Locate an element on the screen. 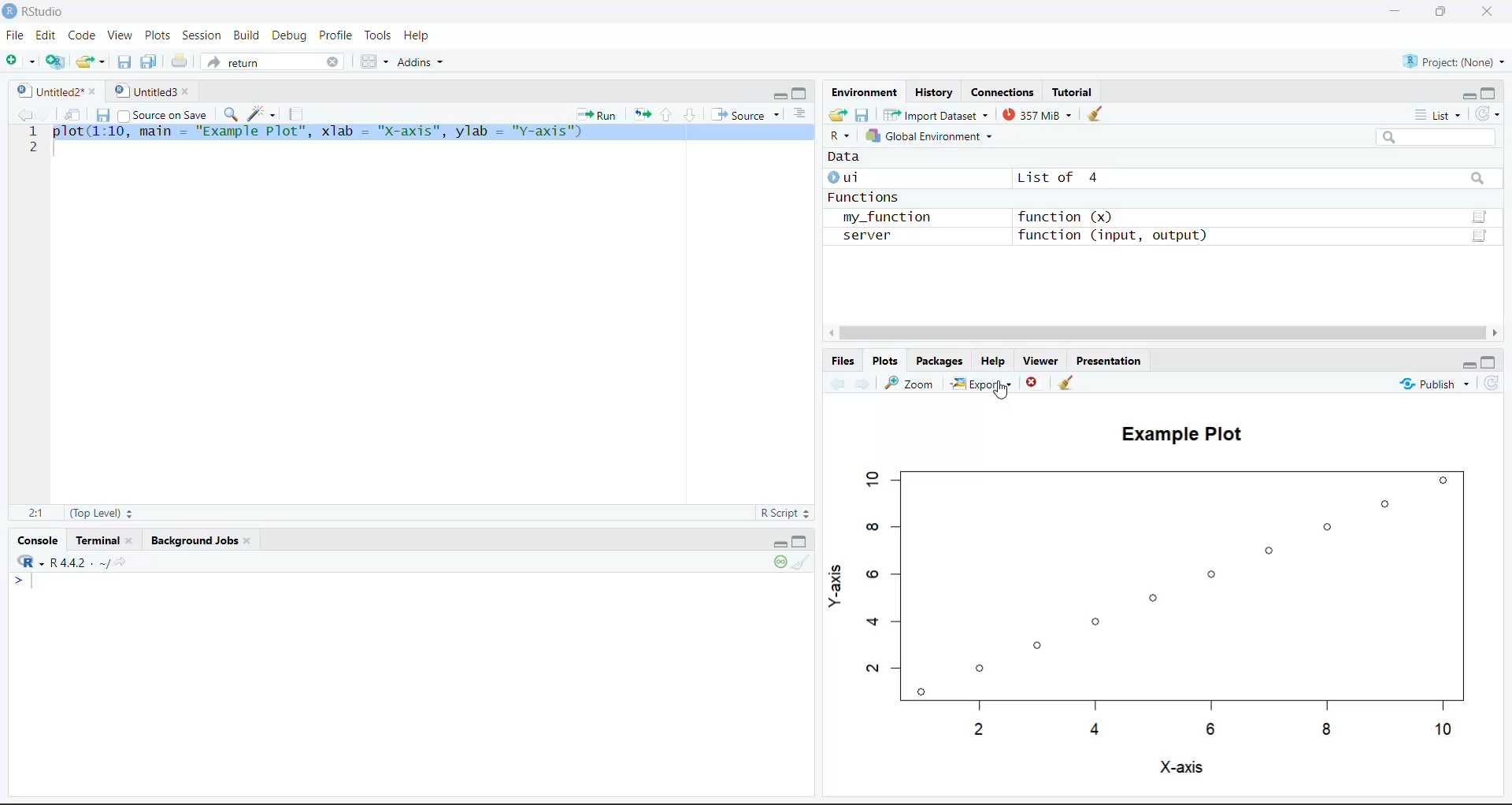 The height and width of the screenshot is (805, 1512). X-axis is located at coordinates (1180, 768).